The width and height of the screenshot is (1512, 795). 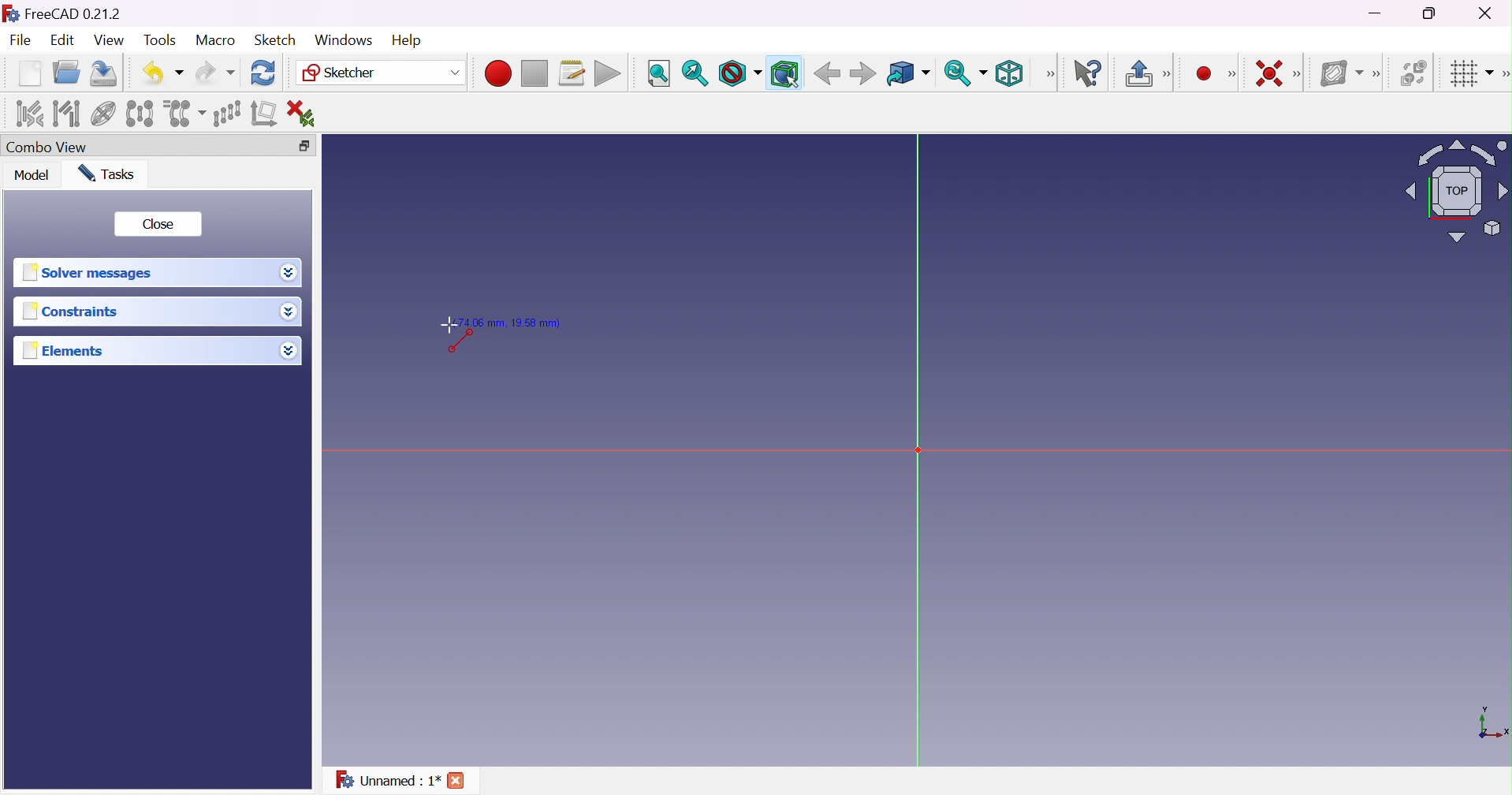 What do you see at coordinates (1050, 73) in the screenshot?
I see `[View]` at bounding box center [1050, 73].